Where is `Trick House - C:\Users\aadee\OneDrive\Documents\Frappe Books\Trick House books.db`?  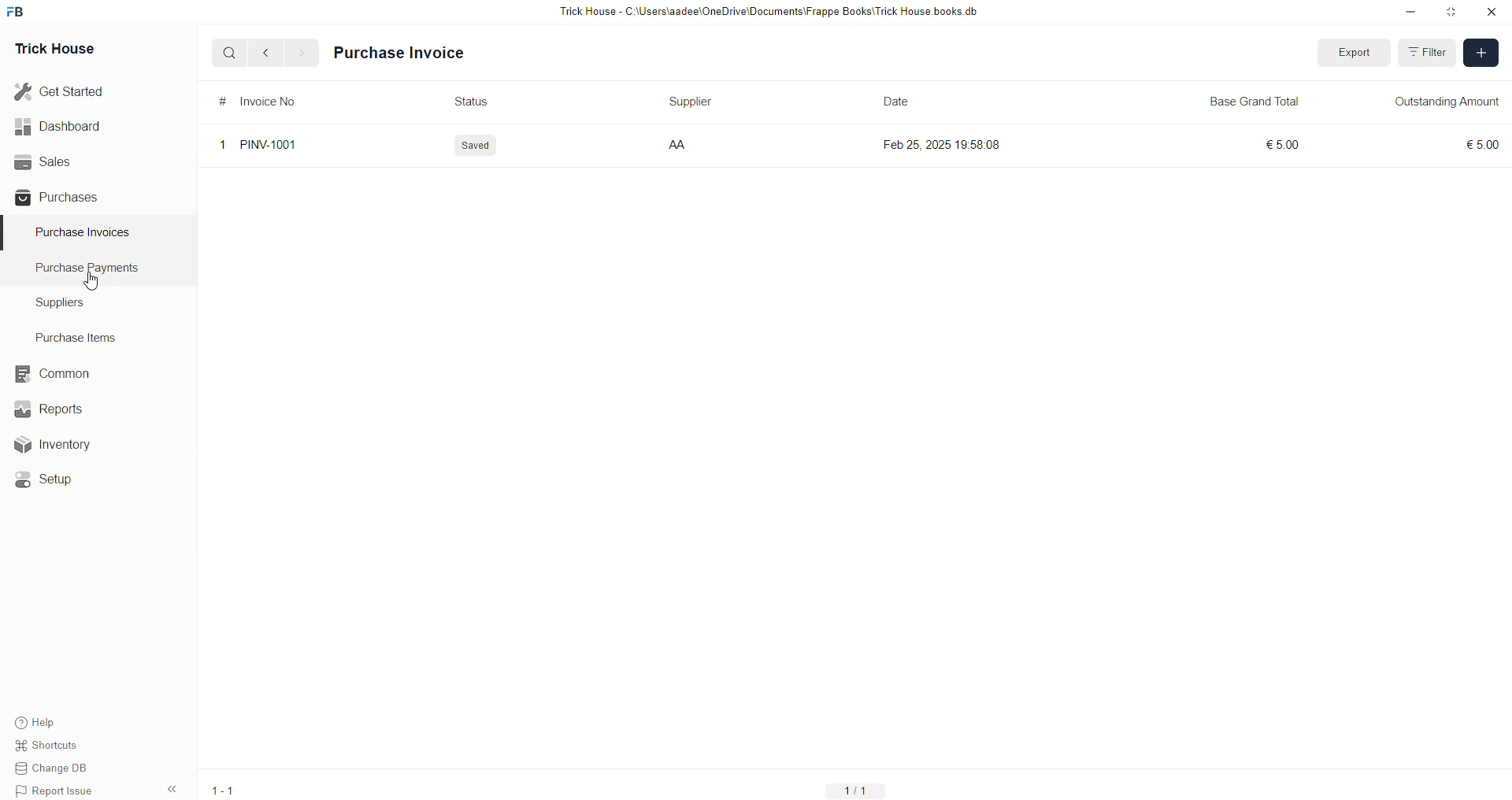 Trick House - C:\Users\aadee\OneDrive\Documents\Frappe Books\Trick House books.db is located at coordinates (772, 12).